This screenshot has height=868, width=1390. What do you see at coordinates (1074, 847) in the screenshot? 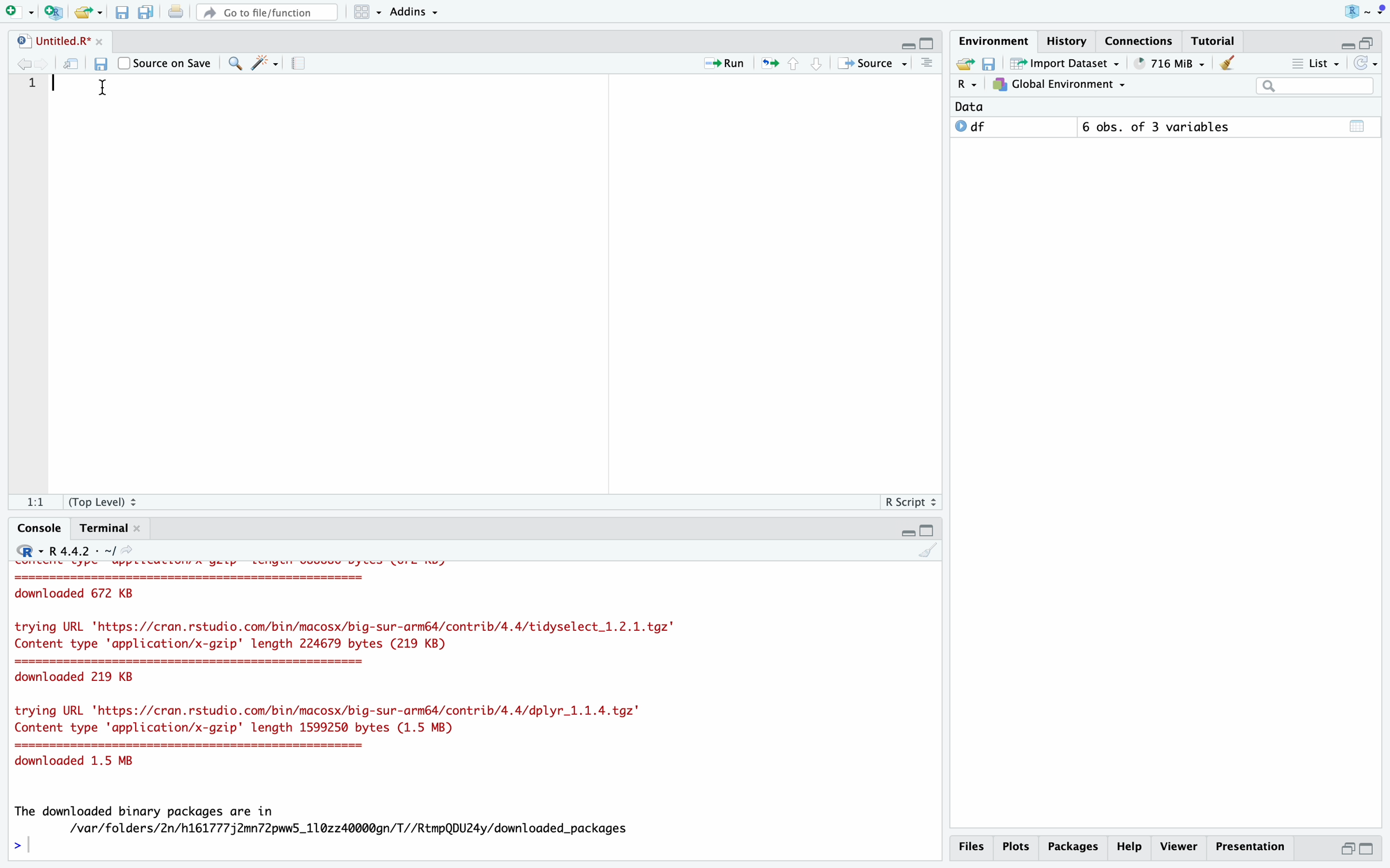
I see `Packages` at bounding box center [1074, 847].